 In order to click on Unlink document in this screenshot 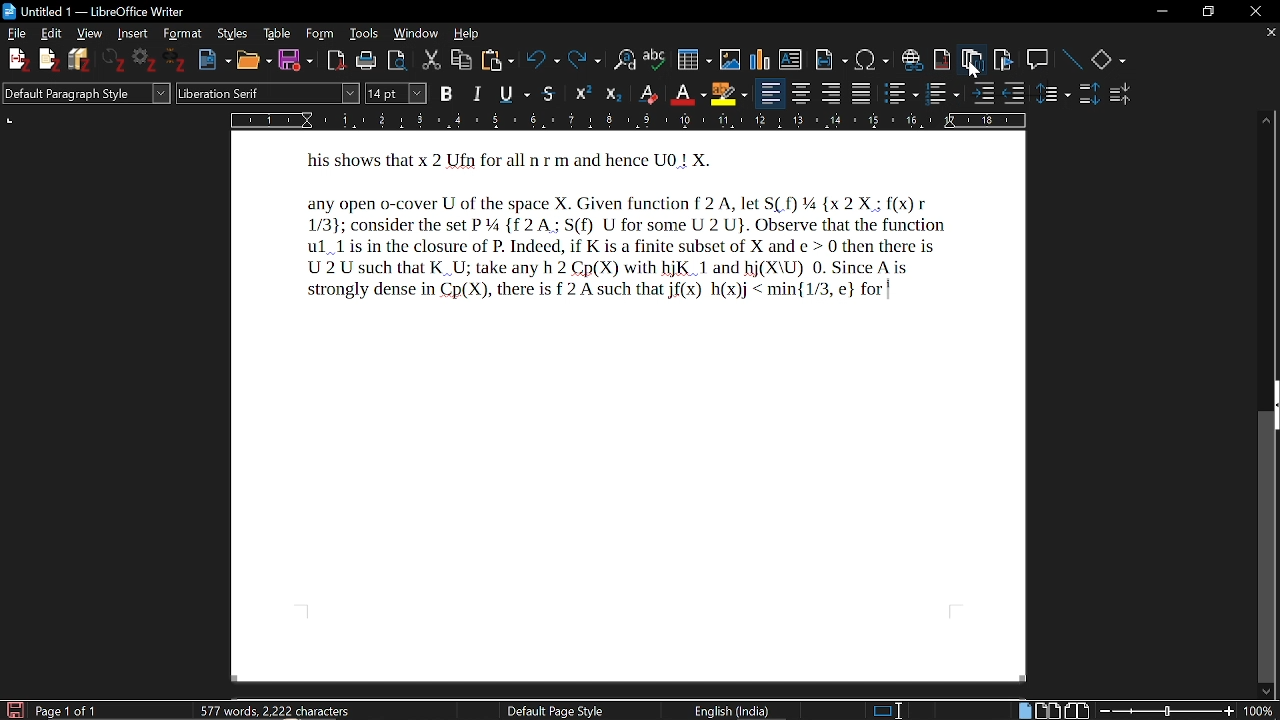, I will do `click(174, 61)`.